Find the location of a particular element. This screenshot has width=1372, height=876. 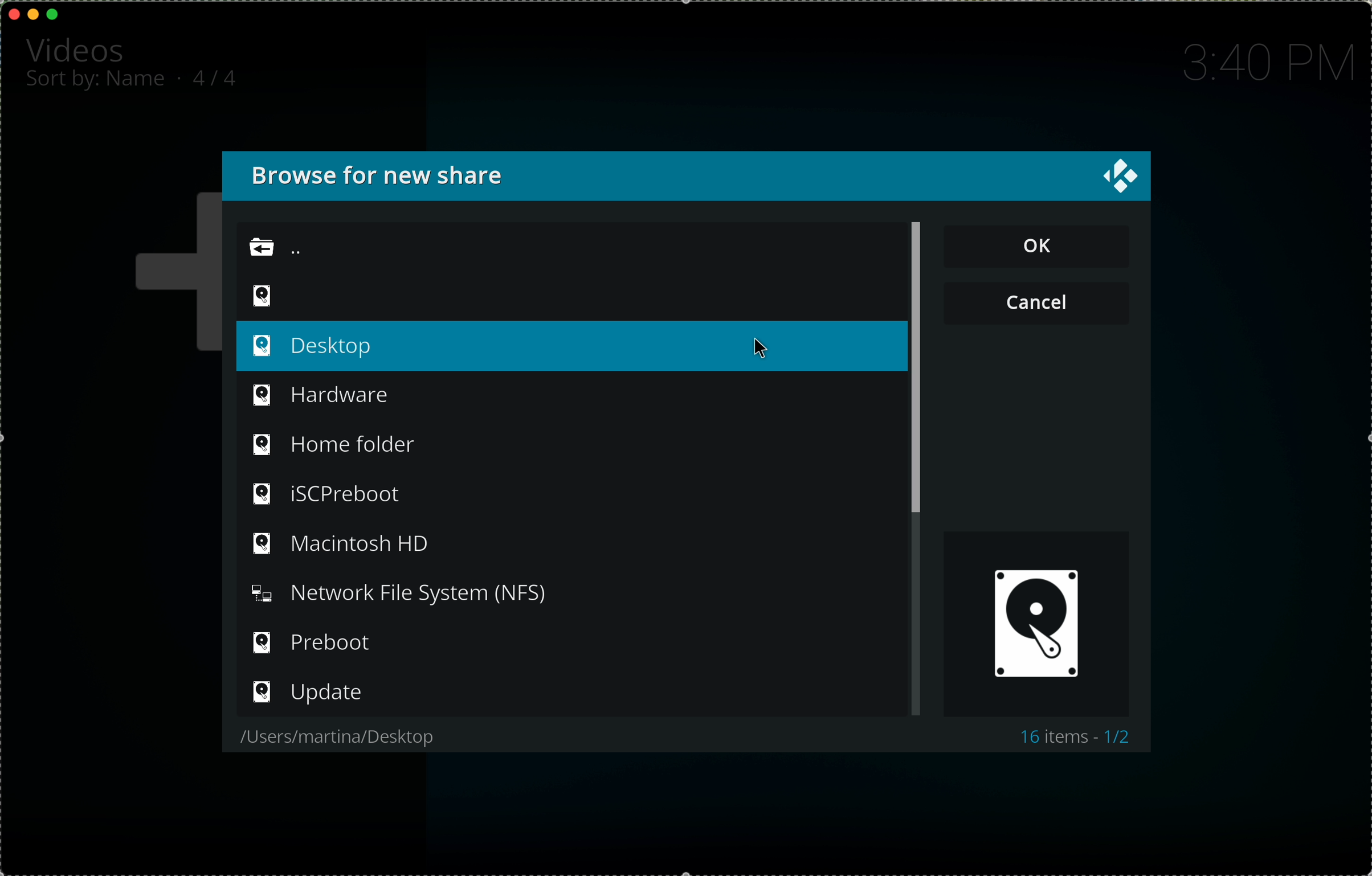

videos icon is located at coordinates (1036, 620).